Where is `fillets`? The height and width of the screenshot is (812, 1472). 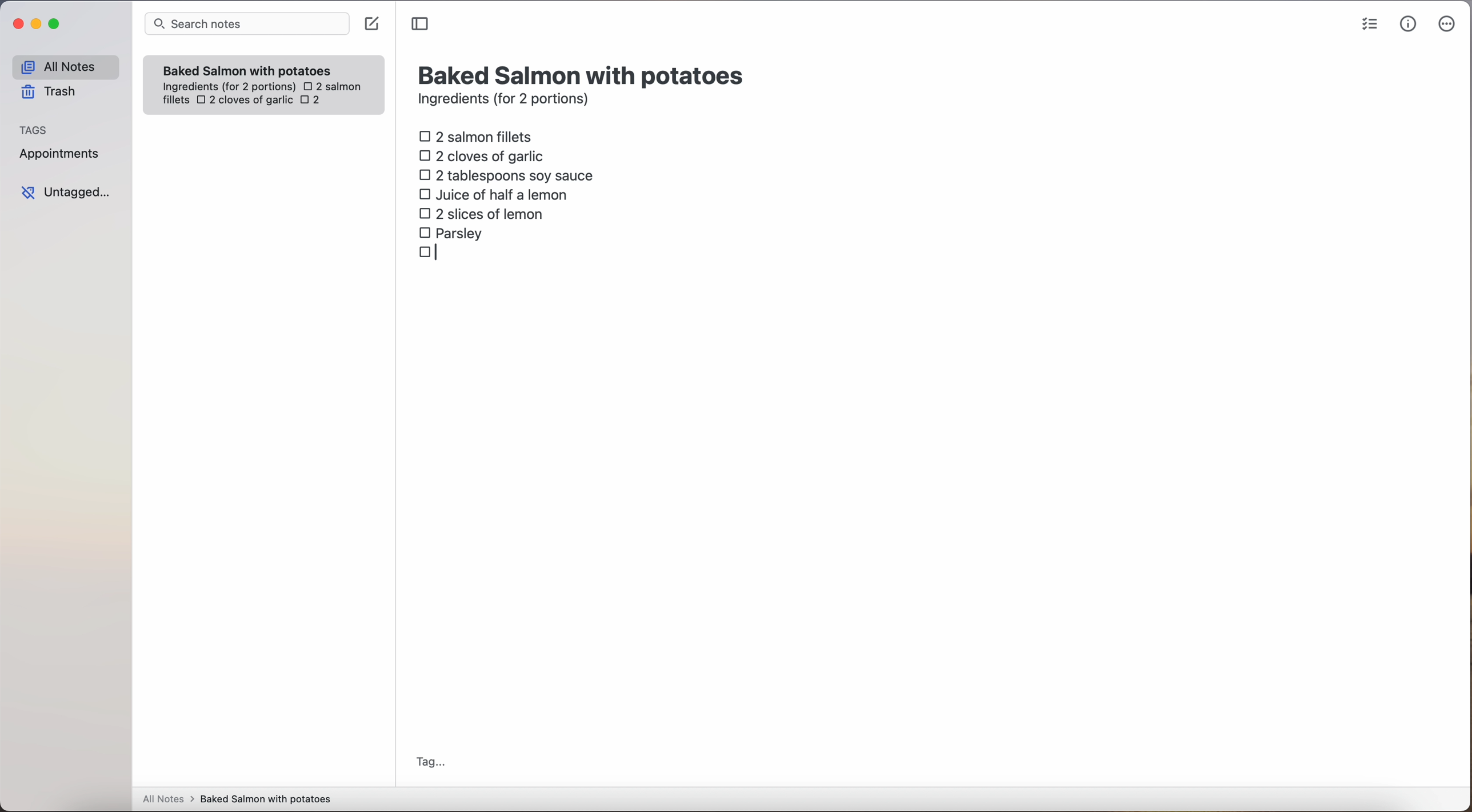
fillets is located at coordinates (177, 101).